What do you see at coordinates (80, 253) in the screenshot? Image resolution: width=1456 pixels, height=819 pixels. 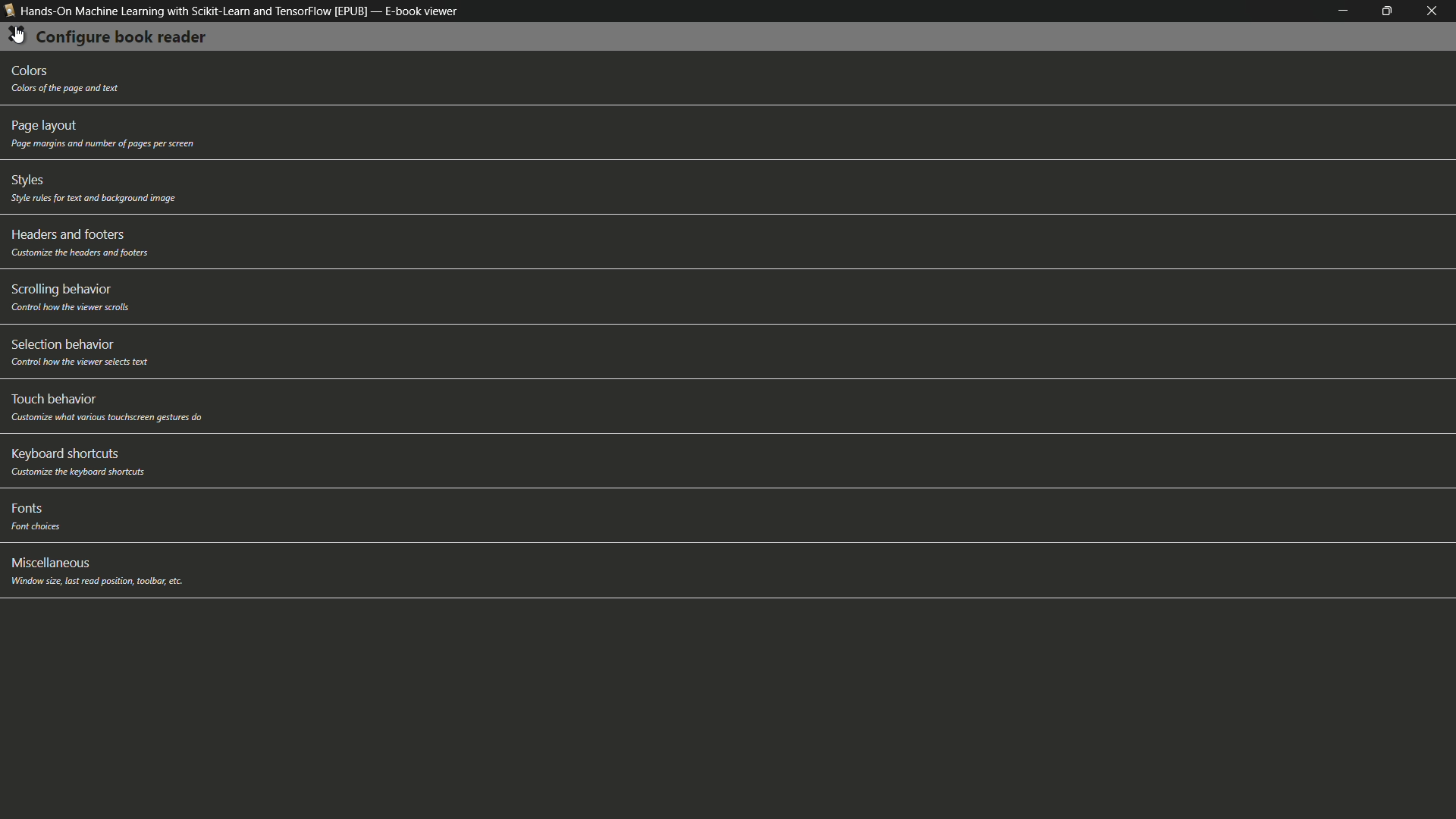 I see `text` at bounding box center [80, 253].